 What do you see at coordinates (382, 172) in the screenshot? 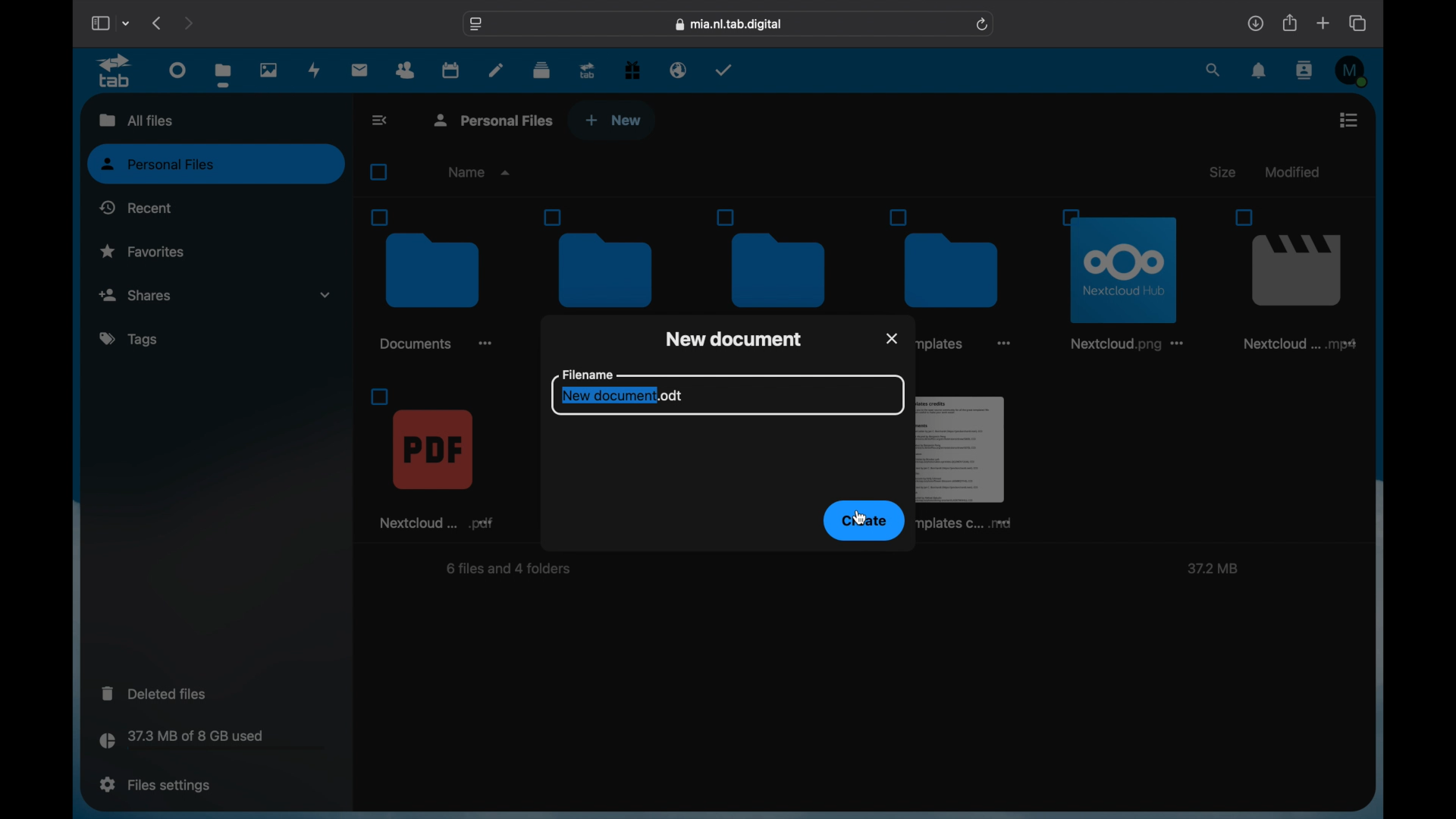
I see `checkbox` at bounding box center [382, 172].